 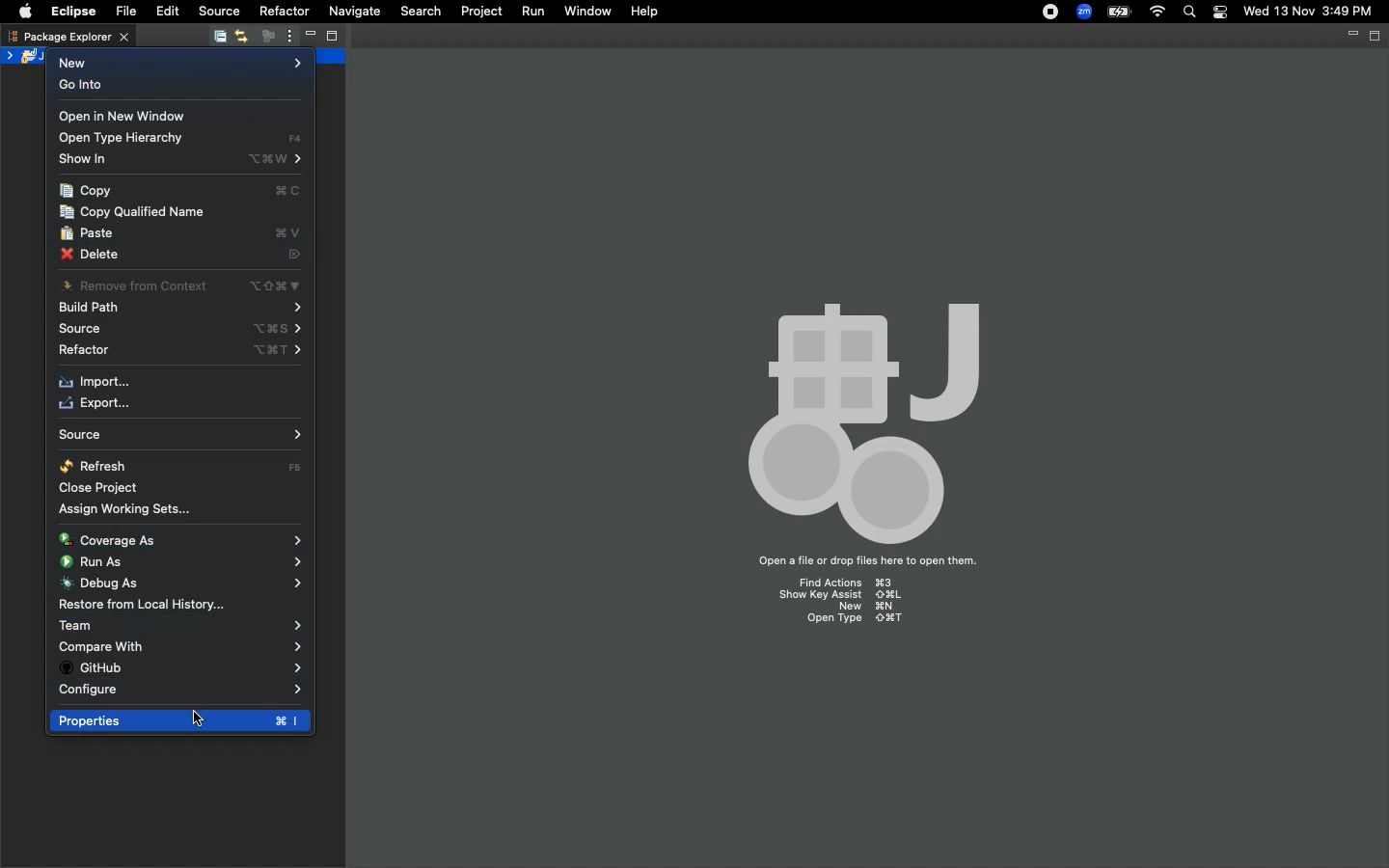 What do you see at coordinates (179, 584) in the screenshot?
I see `Debug as` at bounding box center [179, 584].